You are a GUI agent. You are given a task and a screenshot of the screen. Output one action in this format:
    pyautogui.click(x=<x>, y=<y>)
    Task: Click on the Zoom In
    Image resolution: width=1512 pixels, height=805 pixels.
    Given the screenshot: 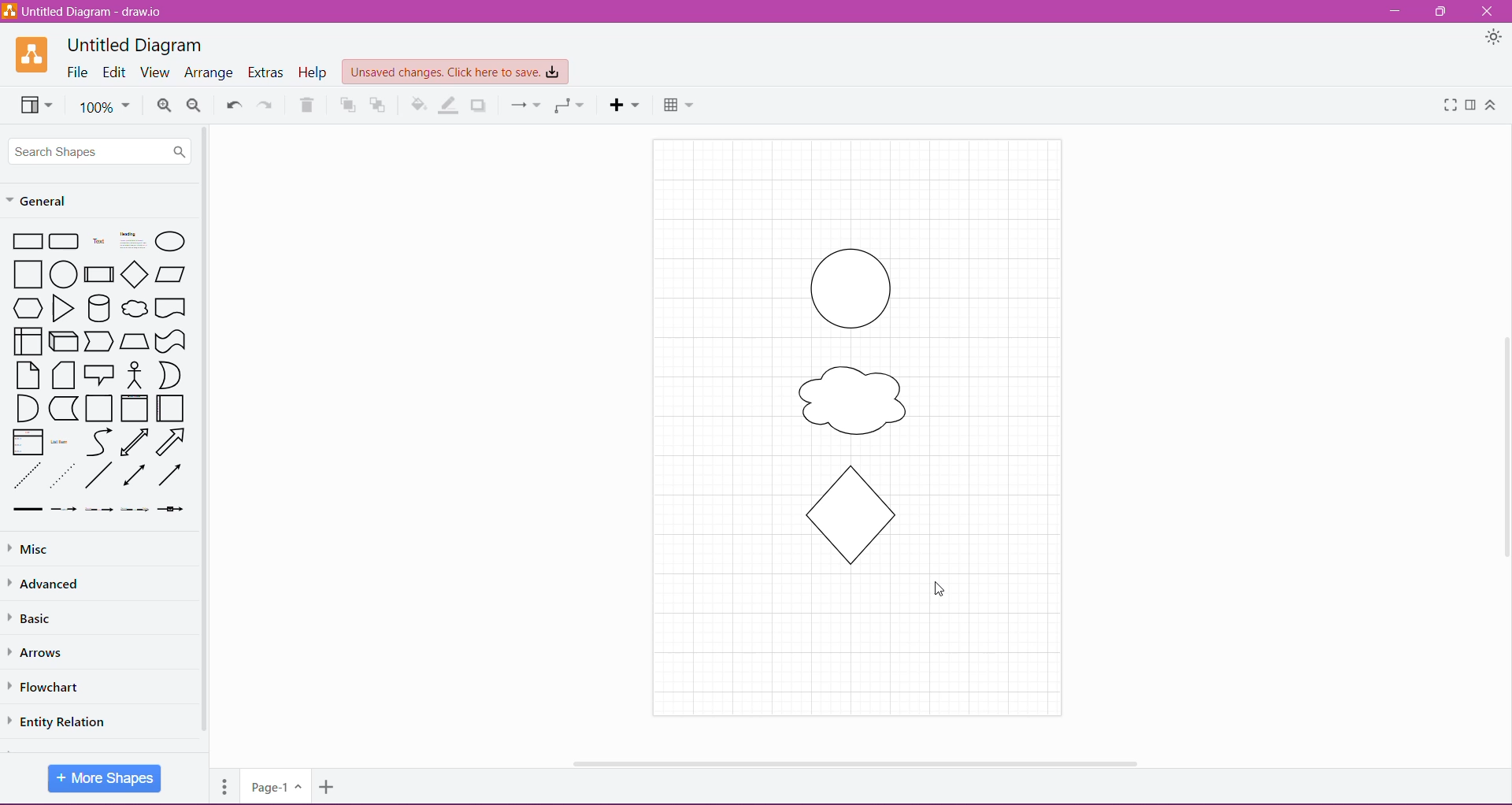 What is the action you would take?
    pyautogui.click(x=164, y=106)
    